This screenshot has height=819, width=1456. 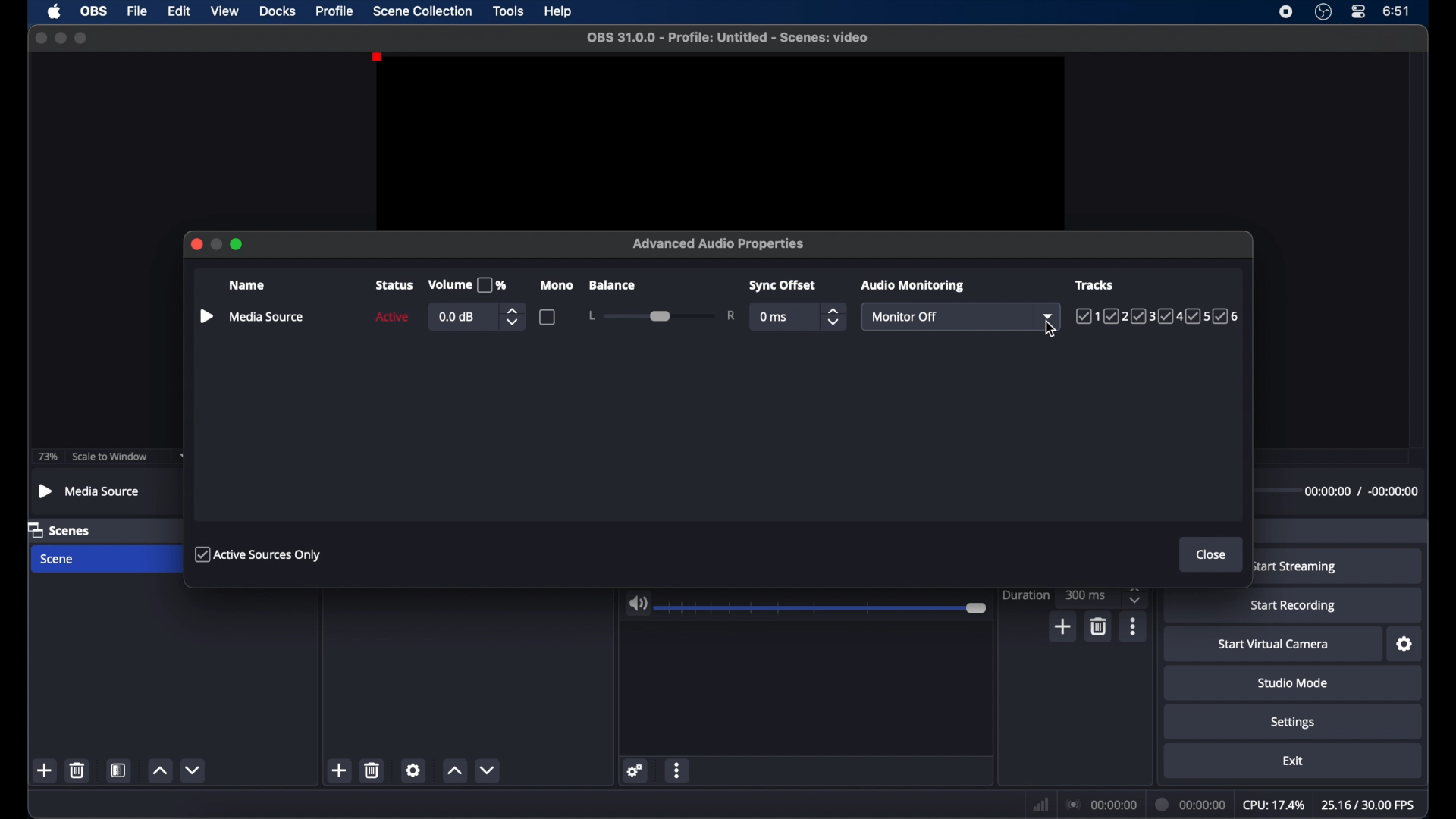 What do you see at coordinates (1212, 554) in the screenshot?
I see `close` at bounding box center [1212, 554].